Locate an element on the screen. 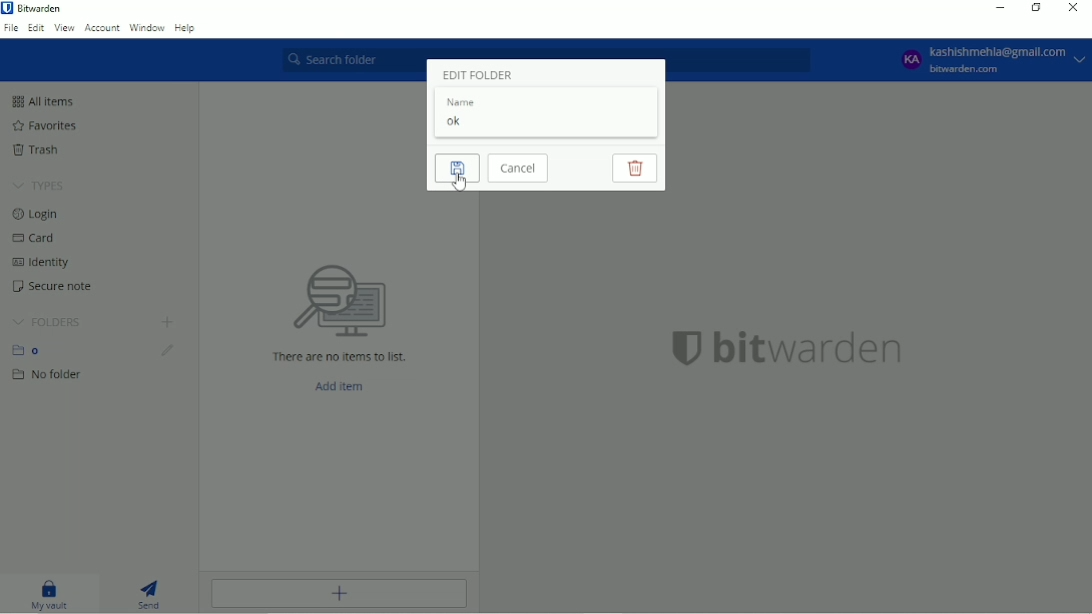 The image size is (1092, 614). bitwarden is located at coordinates (809, 348).